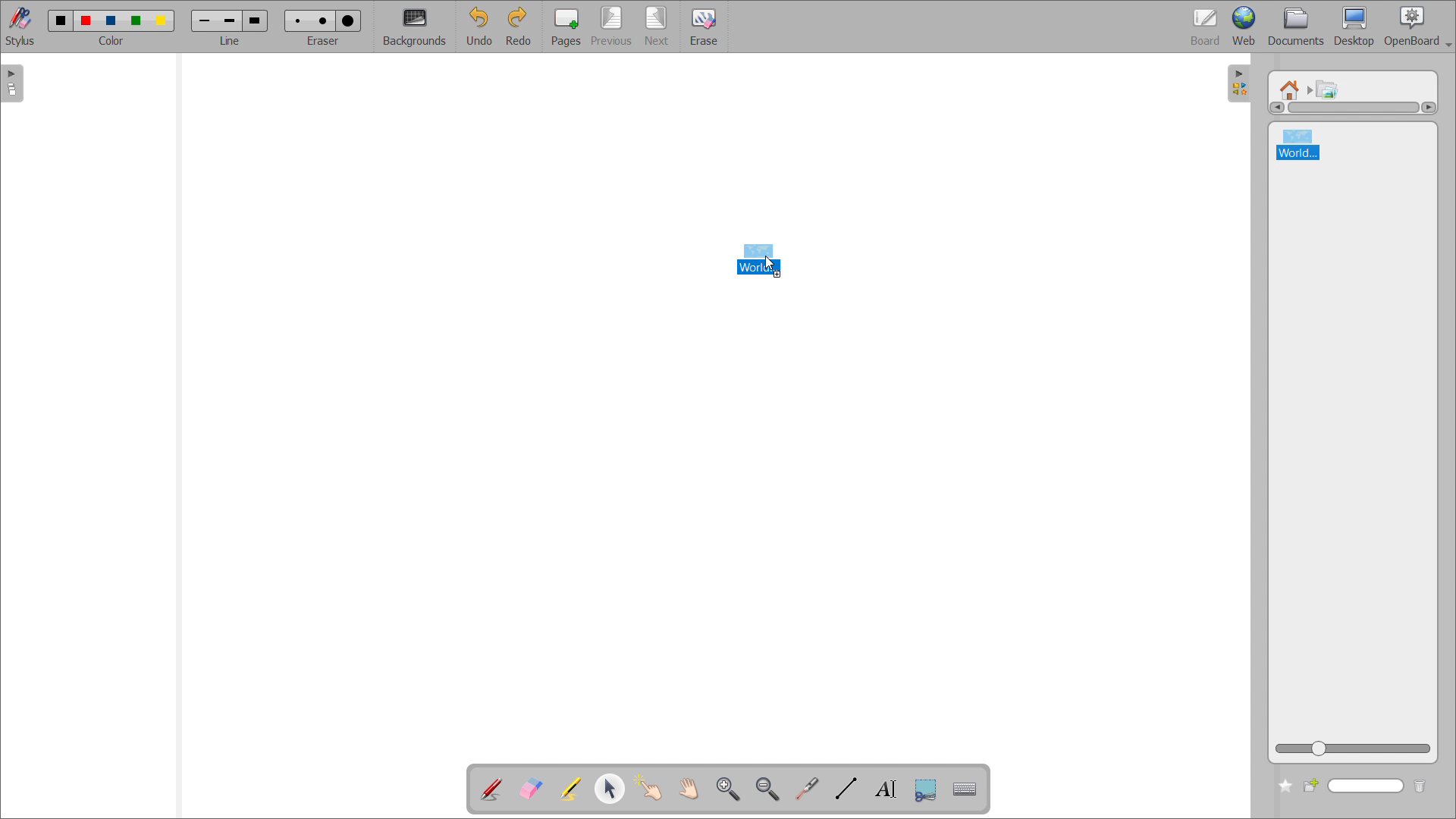 Image resolution: width=1456 pixels, height=819 pixels. I want to click on create new folder, so click(1310, 787).